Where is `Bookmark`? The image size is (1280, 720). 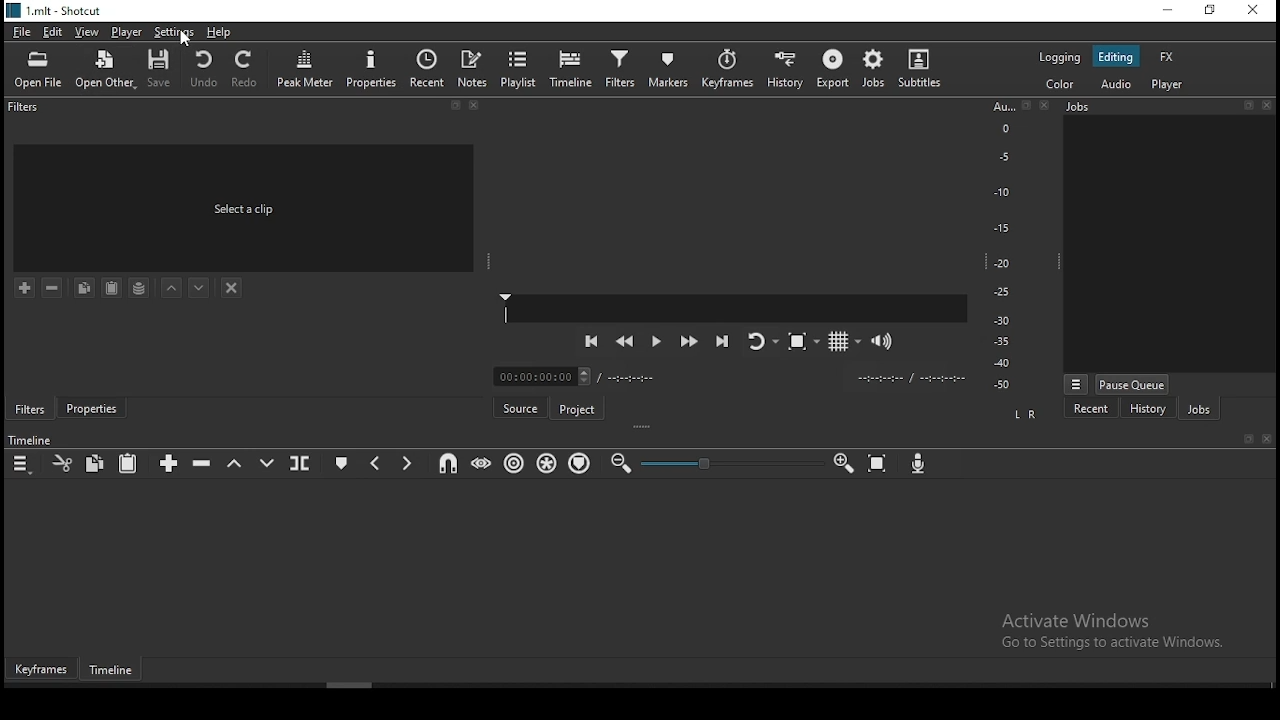
Bookmark is located at coordinates (1248, 439).